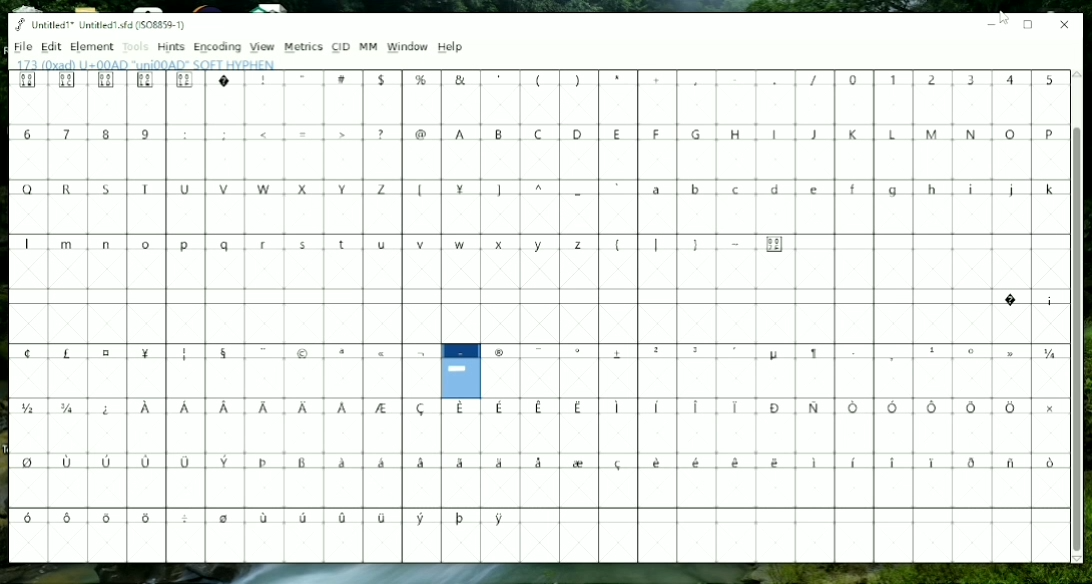 This screenshot has height=584, width=1092. Describe the element at coordinates (535, 466) in the screenshot. I see `Symbols` at that location.